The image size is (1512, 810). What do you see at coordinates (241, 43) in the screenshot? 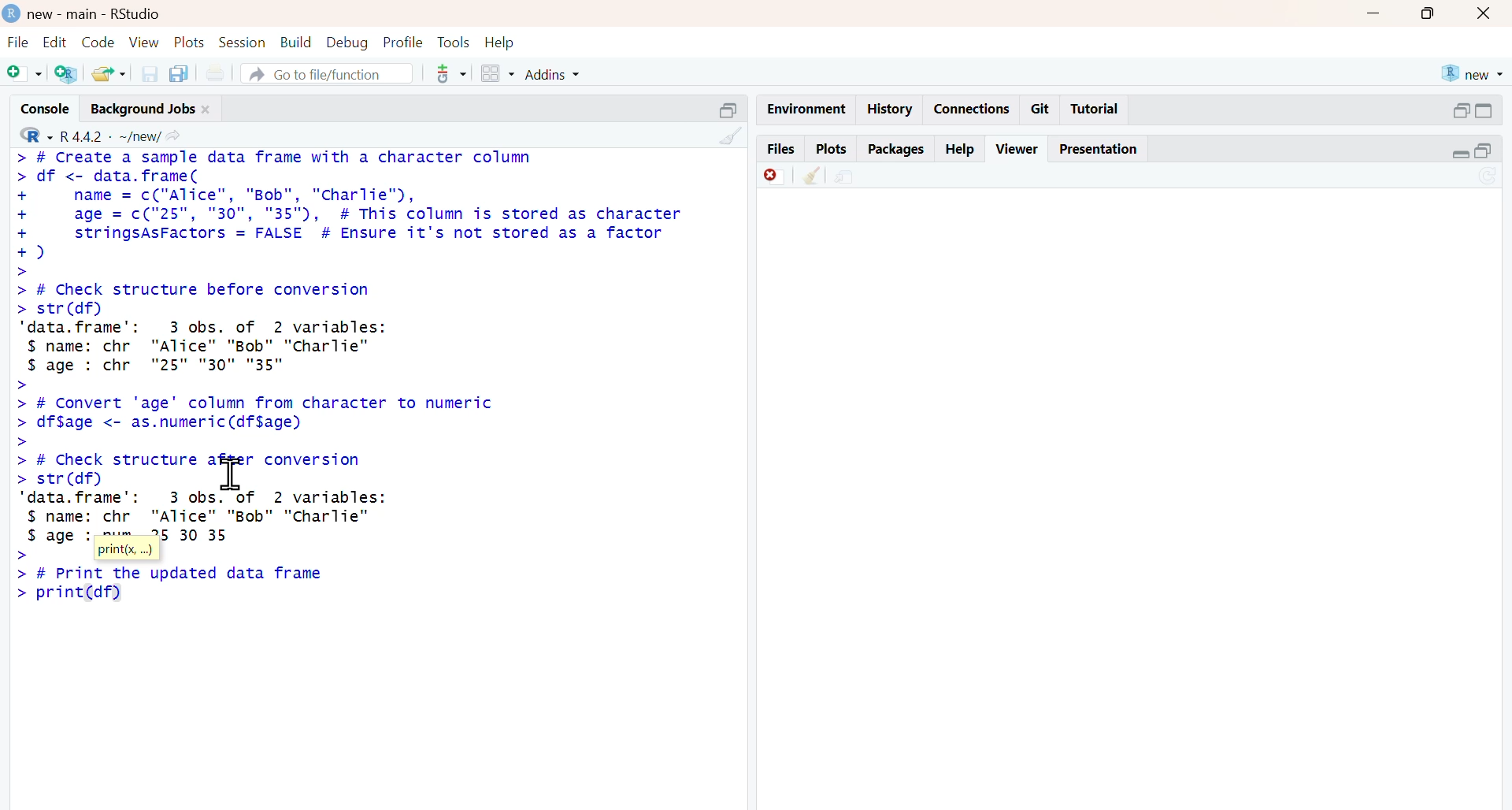
I see `session` at bounding box center [241, 43].